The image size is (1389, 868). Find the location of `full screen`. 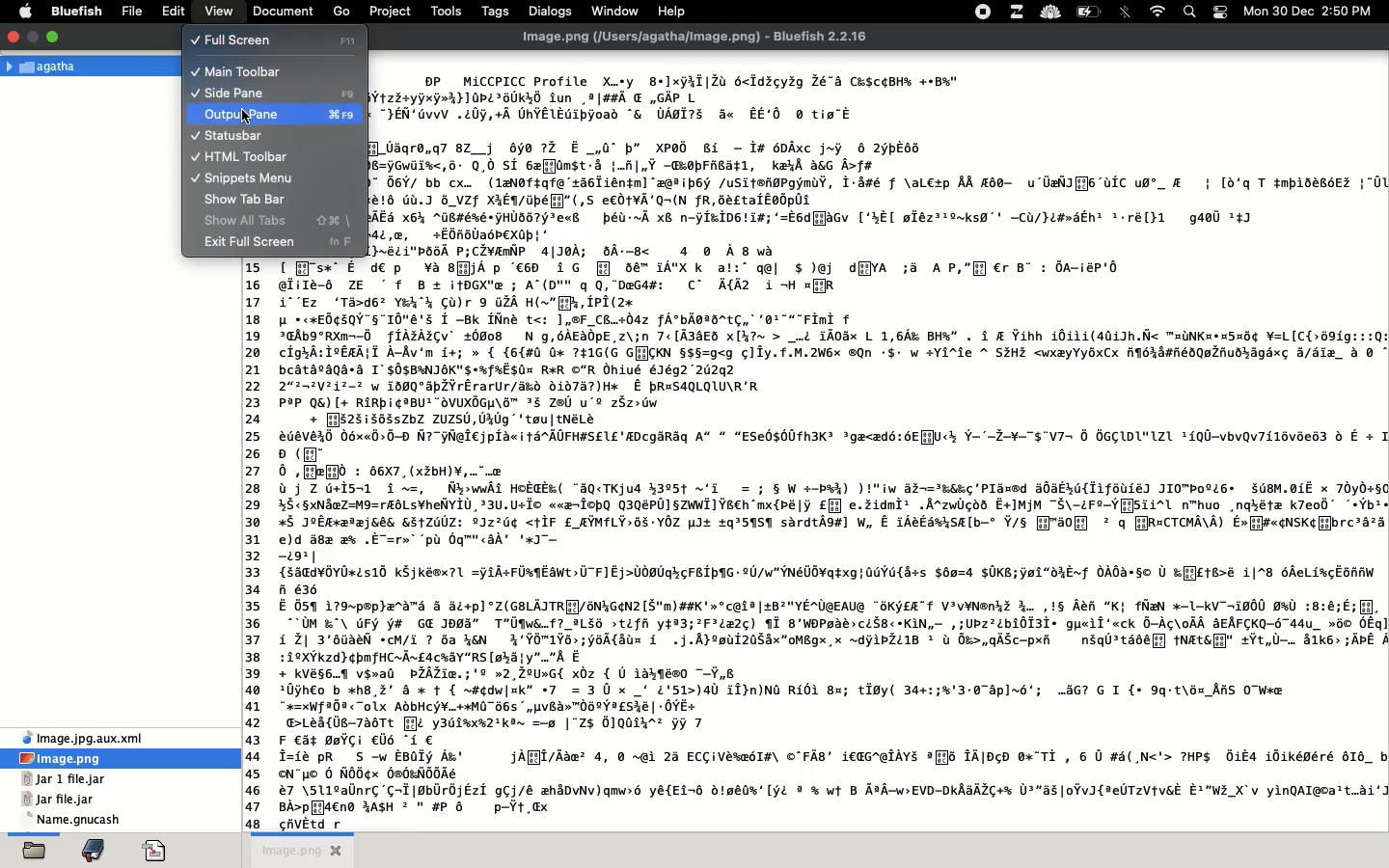

full screen is located at coordinates (282, 40).